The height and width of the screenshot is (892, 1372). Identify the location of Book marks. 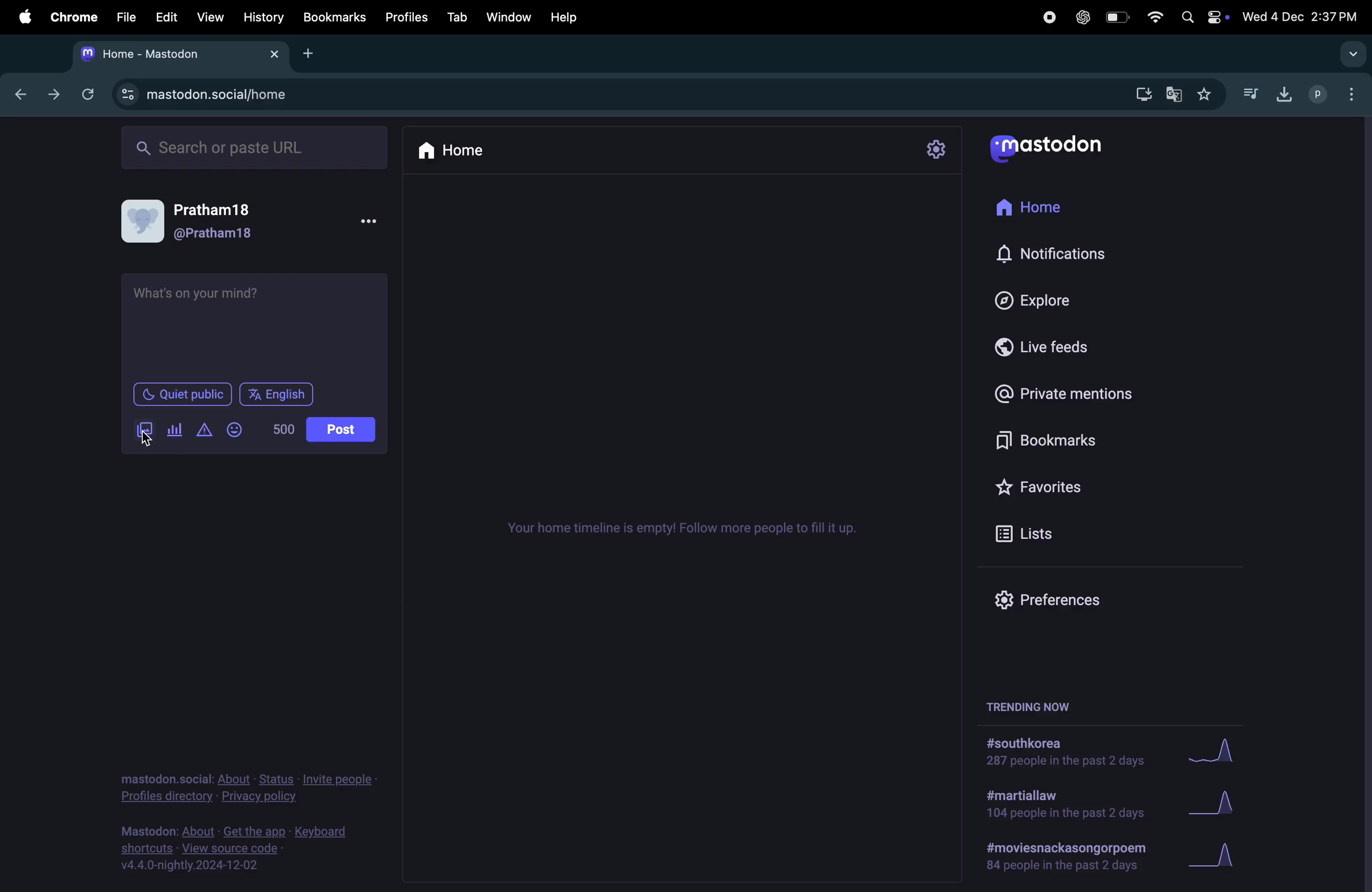
(1039, 443).